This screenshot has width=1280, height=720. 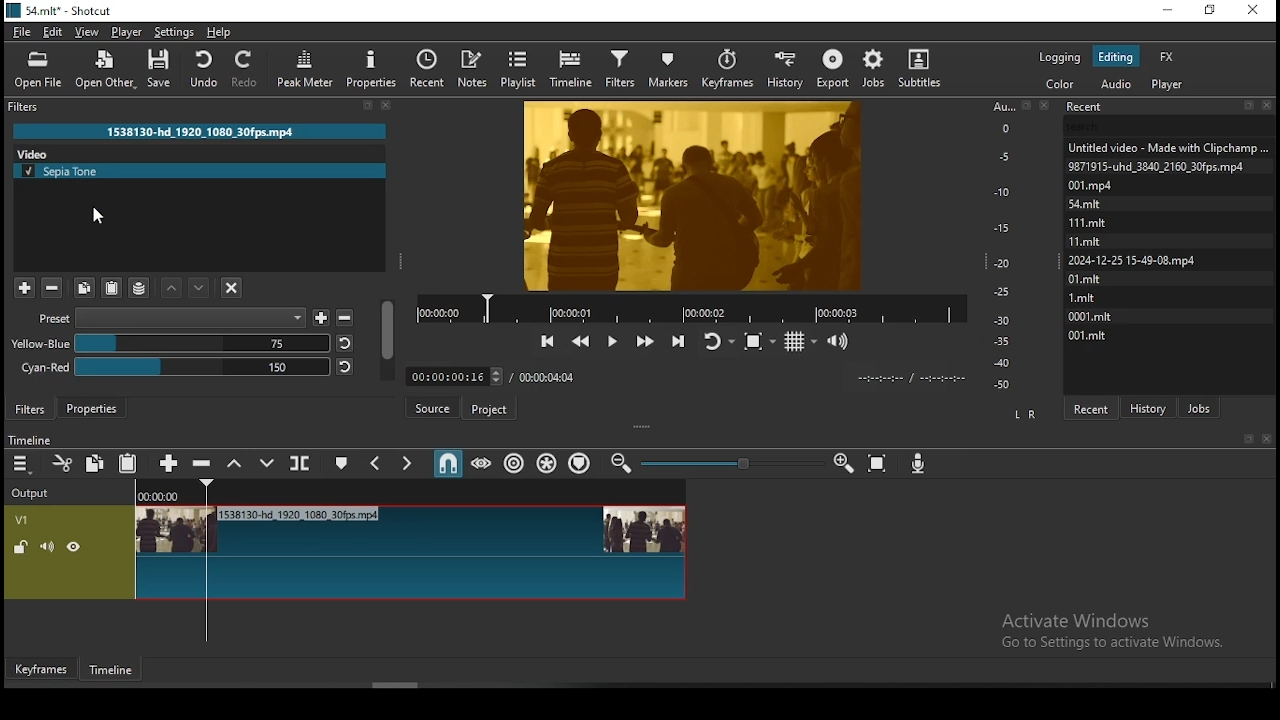 I want to click on Click here to check for a new version of Shotcut., so click(x=654, y=409).